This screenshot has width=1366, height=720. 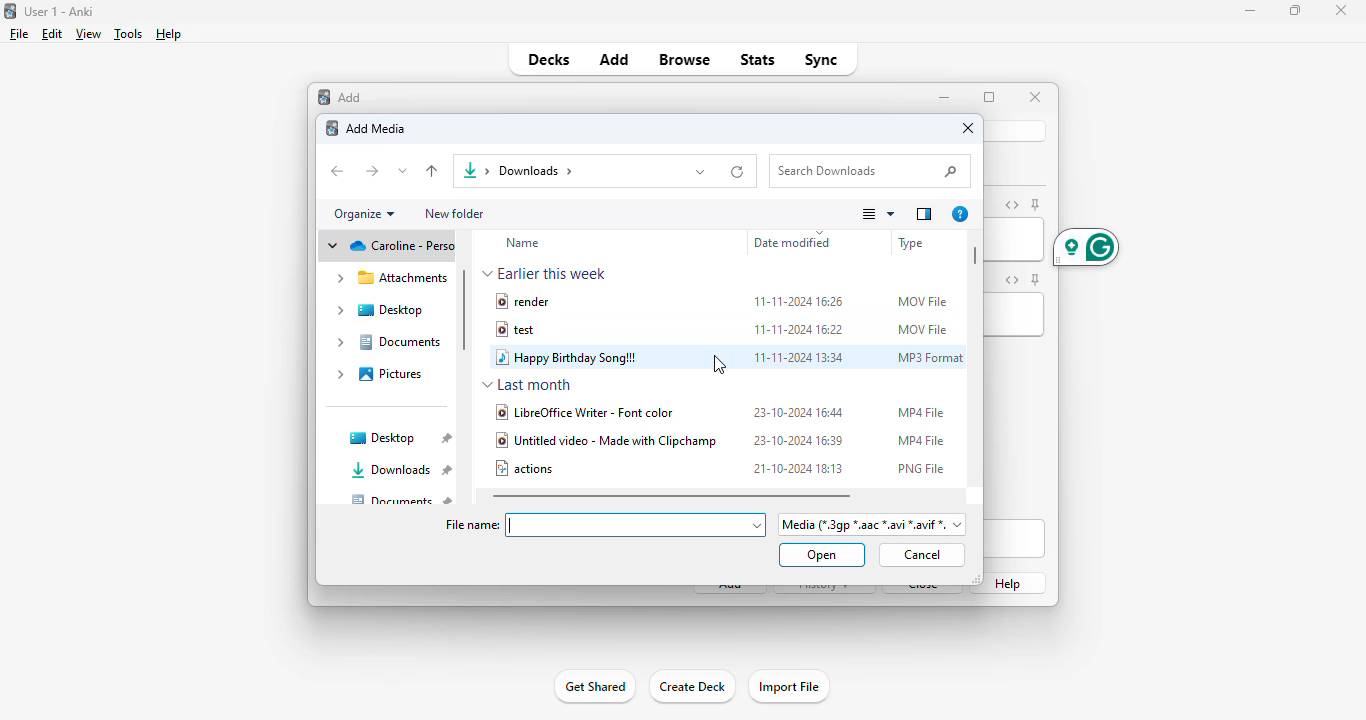 What do you see at coordinates (518, 329) in the screenshot?
I see `test` at bounding box center [518, 329].